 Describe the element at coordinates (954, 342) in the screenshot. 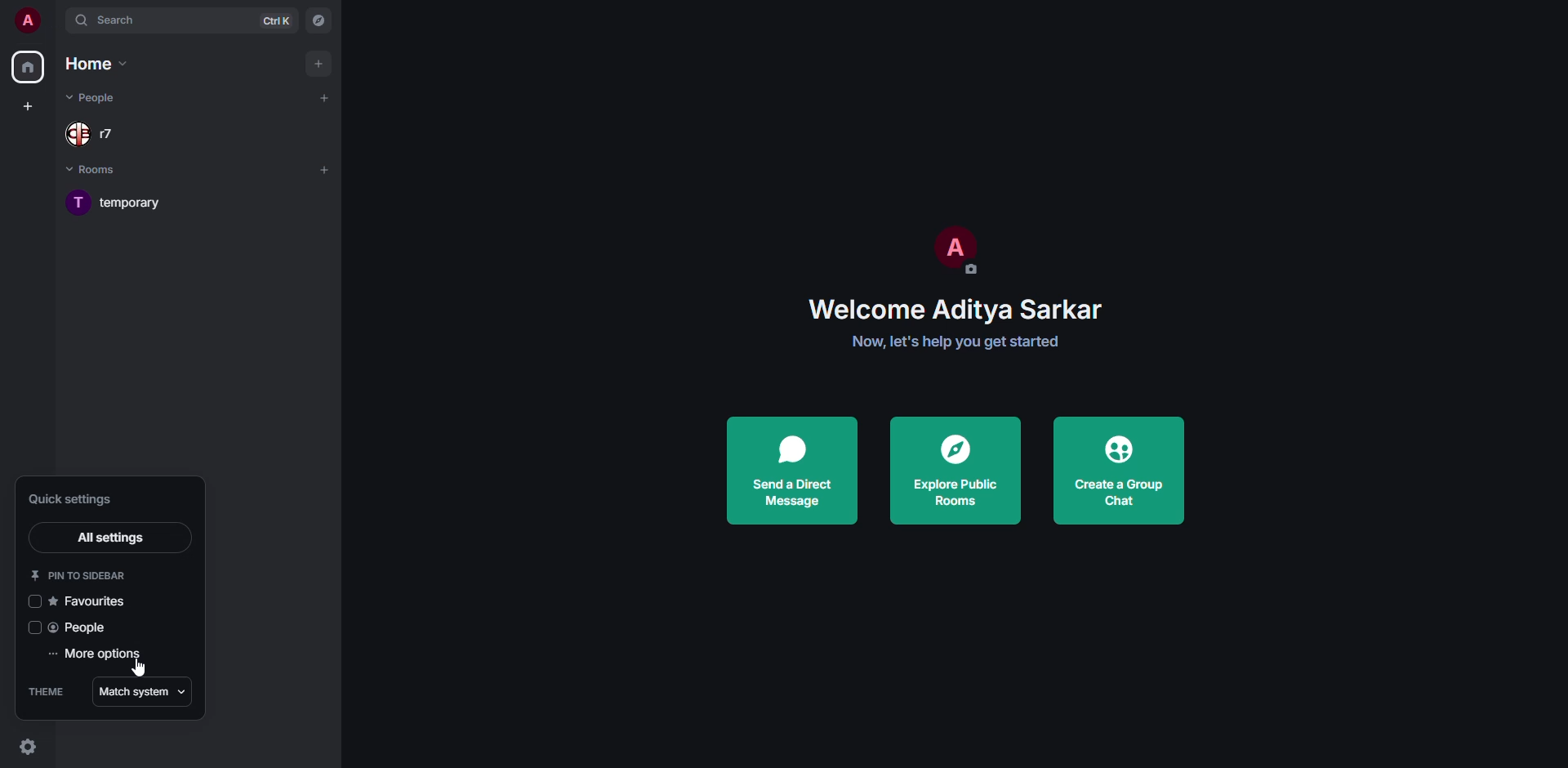

I see `get started` at that location.